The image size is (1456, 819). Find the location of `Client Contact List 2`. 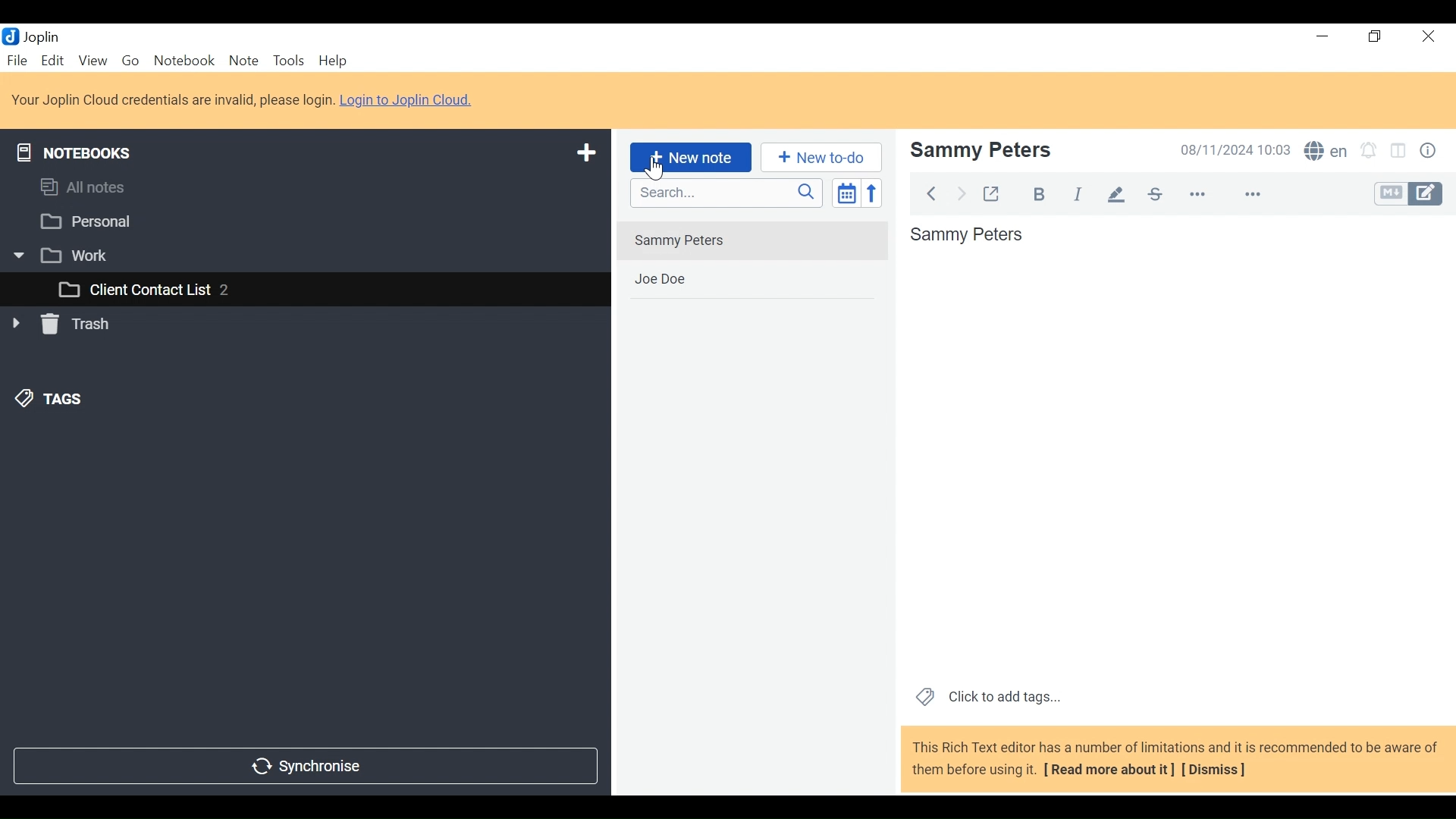

Client Contact List 2 is located at coordinates (304, 290).